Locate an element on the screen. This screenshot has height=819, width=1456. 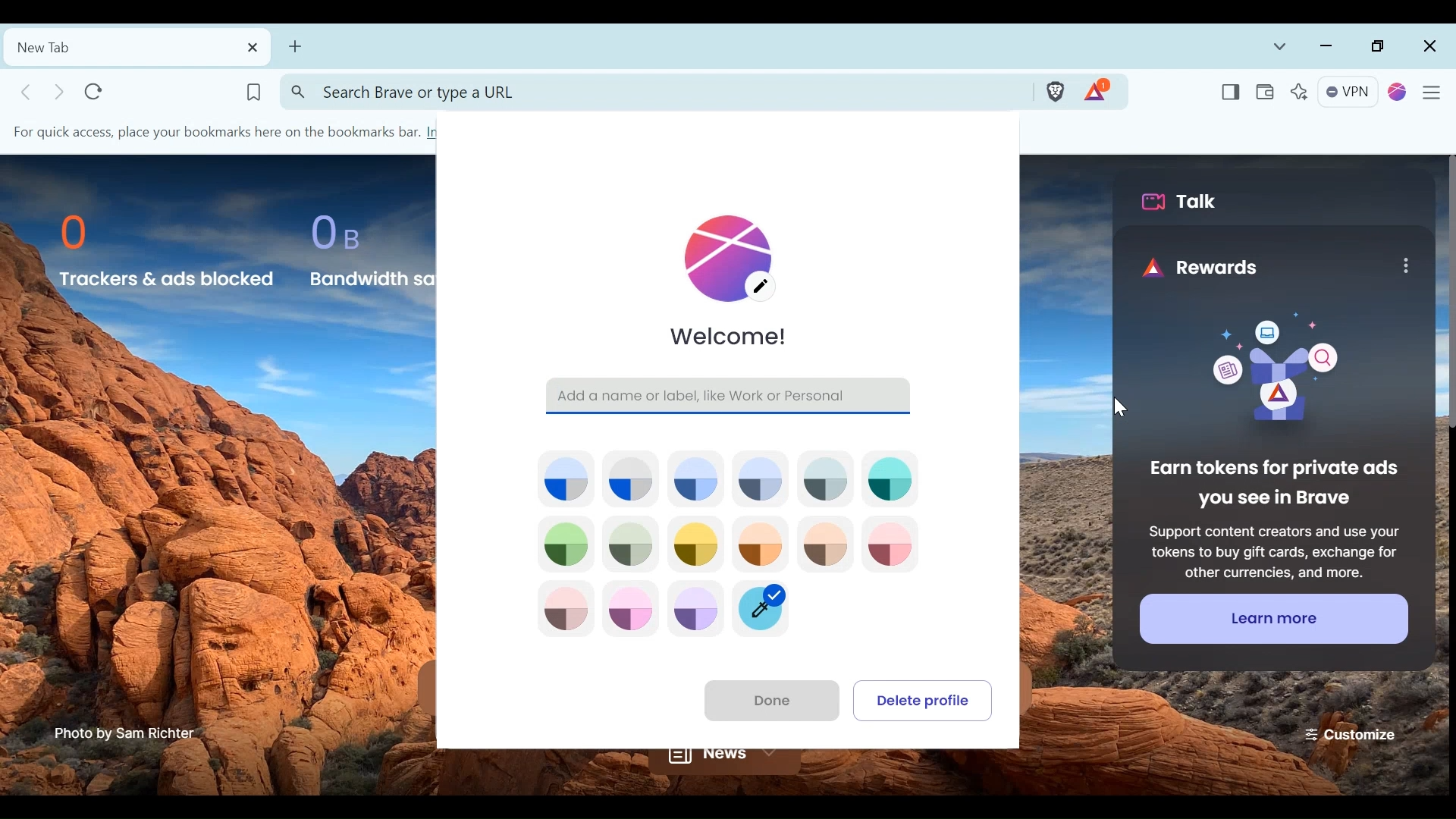
Marker is located at coordinates (768, 608).